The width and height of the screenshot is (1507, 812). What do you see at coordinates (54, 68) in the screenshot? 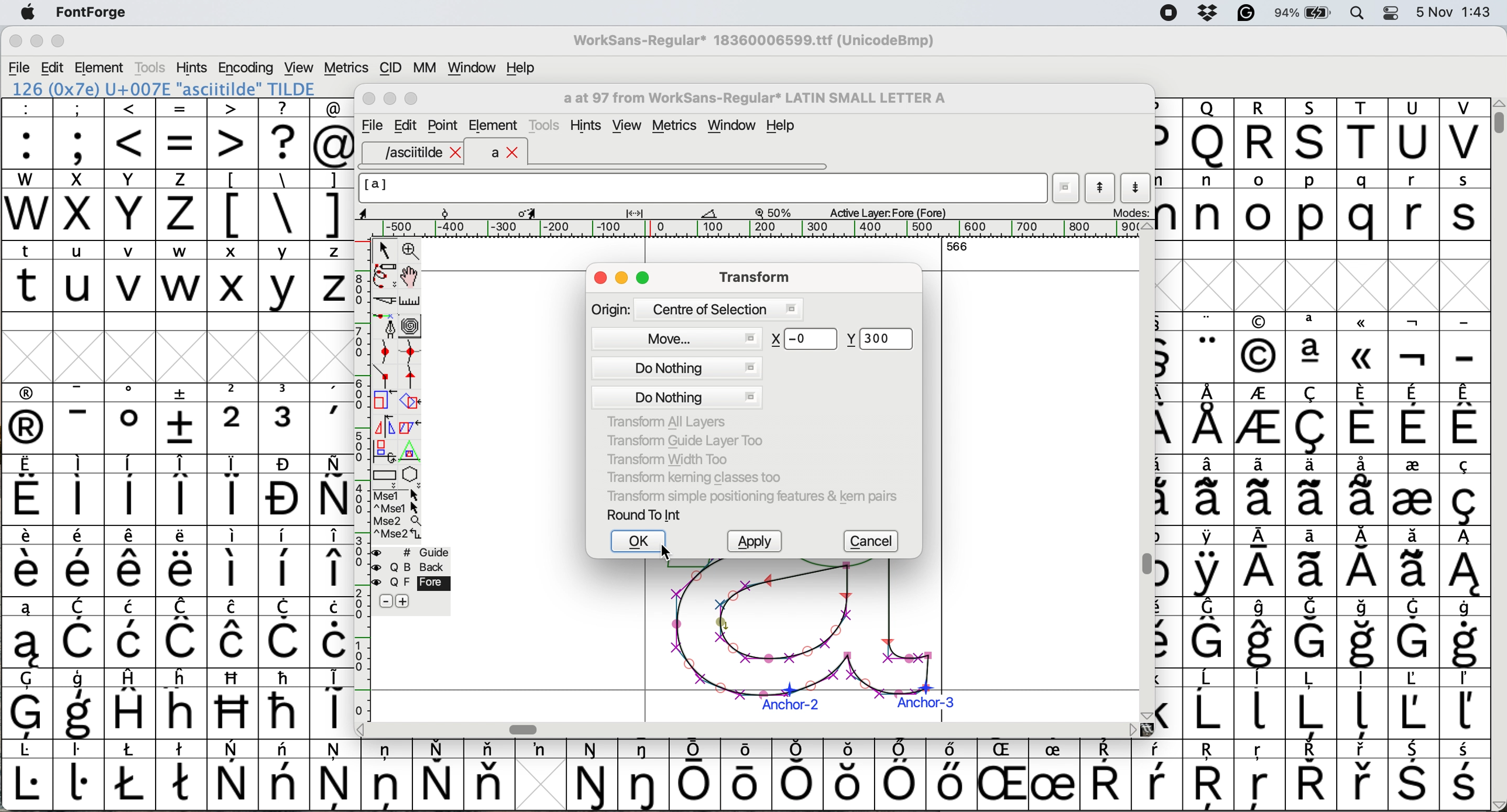
I see `edit` at bounding box center [54, 68].